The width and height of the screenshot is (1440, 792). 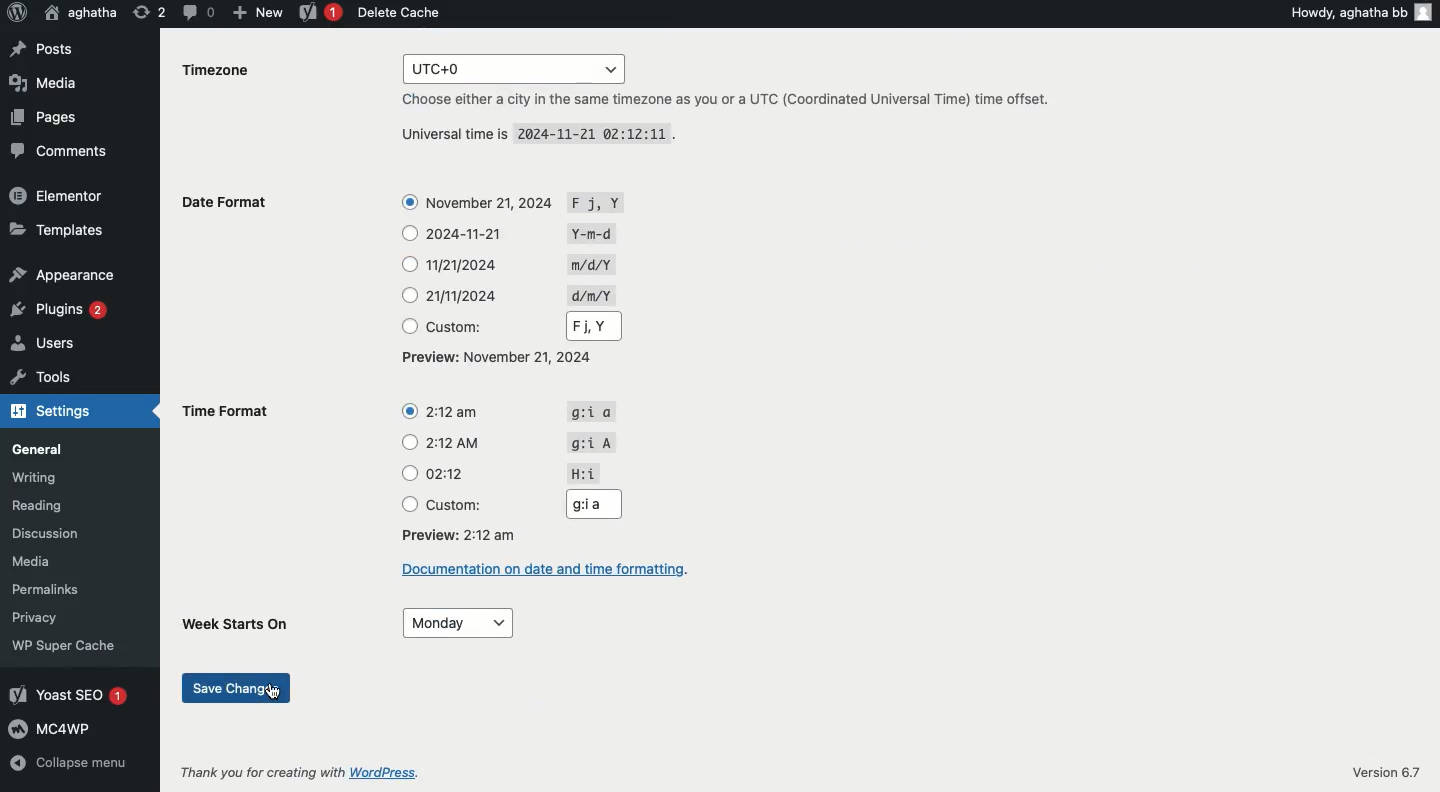 What do you see at coordinates (51, 410) in the screenshot?
I see `Settings` at bounding box center [51, 410].